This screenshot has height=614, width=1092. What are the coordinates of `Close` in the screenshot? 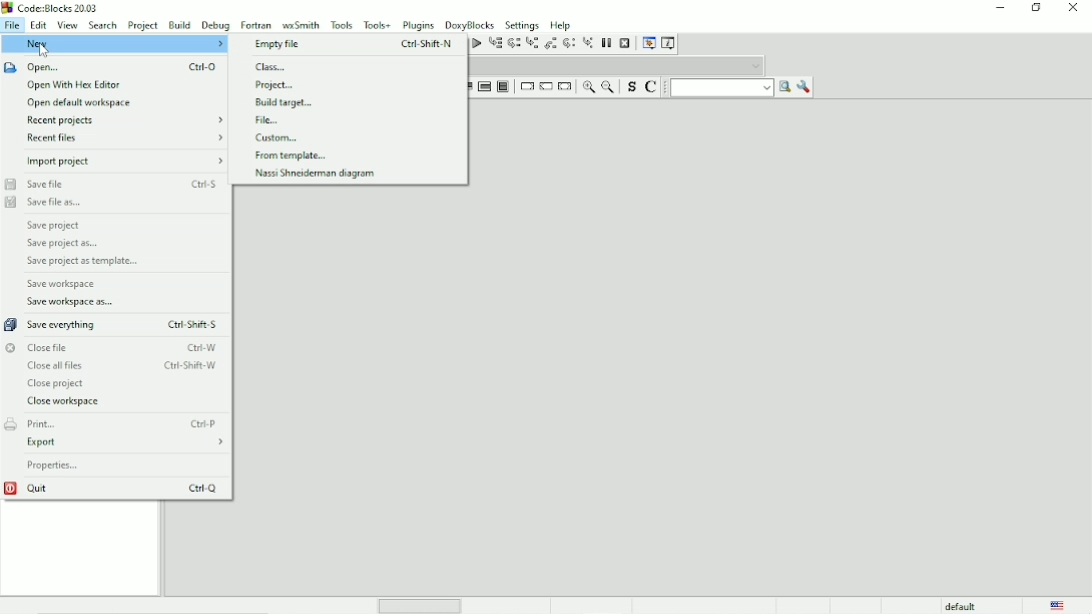 It's located at (1074, 9).